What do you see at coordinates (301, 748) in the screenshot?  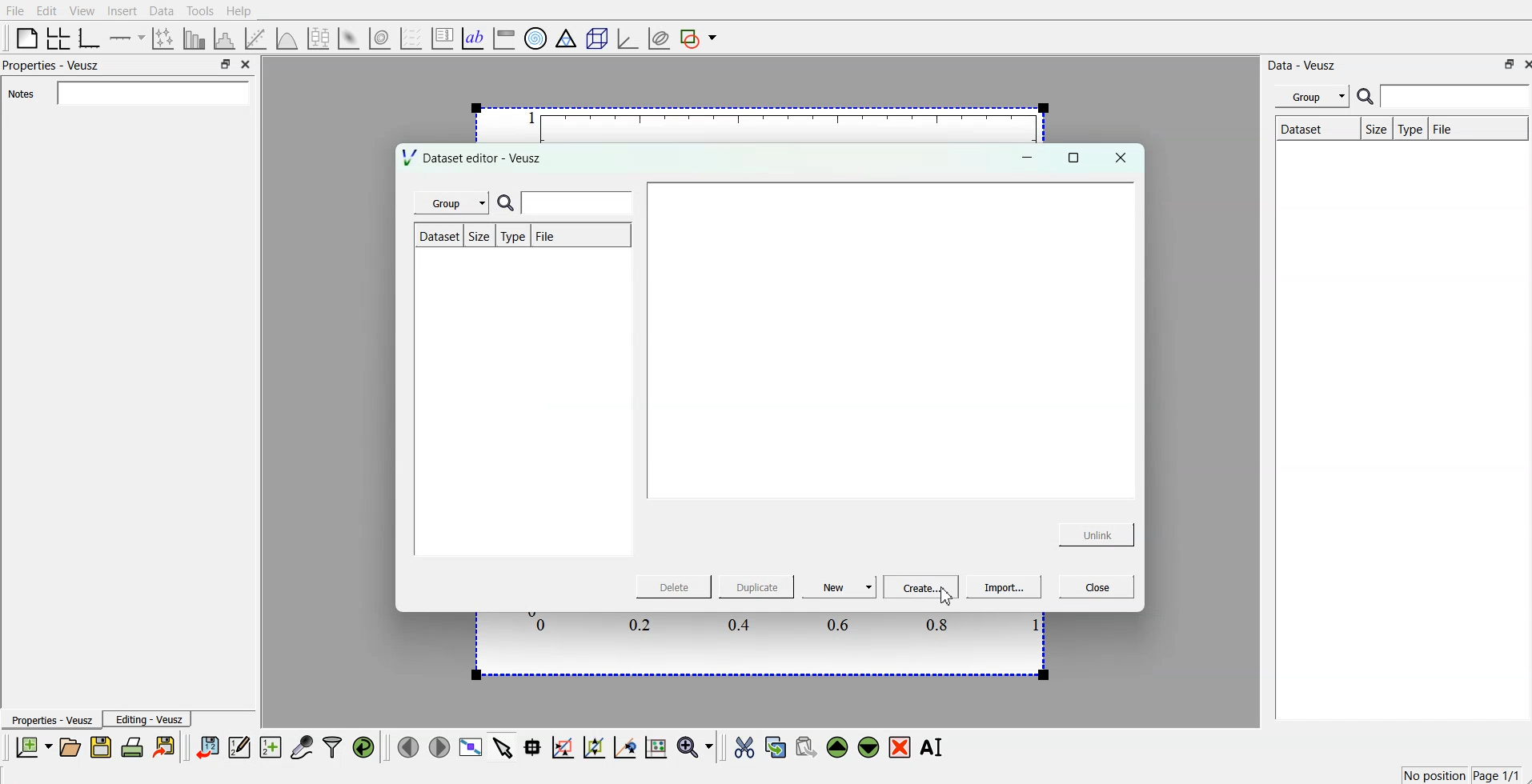 I see `capture remote data` at bounding box center [301, 748].